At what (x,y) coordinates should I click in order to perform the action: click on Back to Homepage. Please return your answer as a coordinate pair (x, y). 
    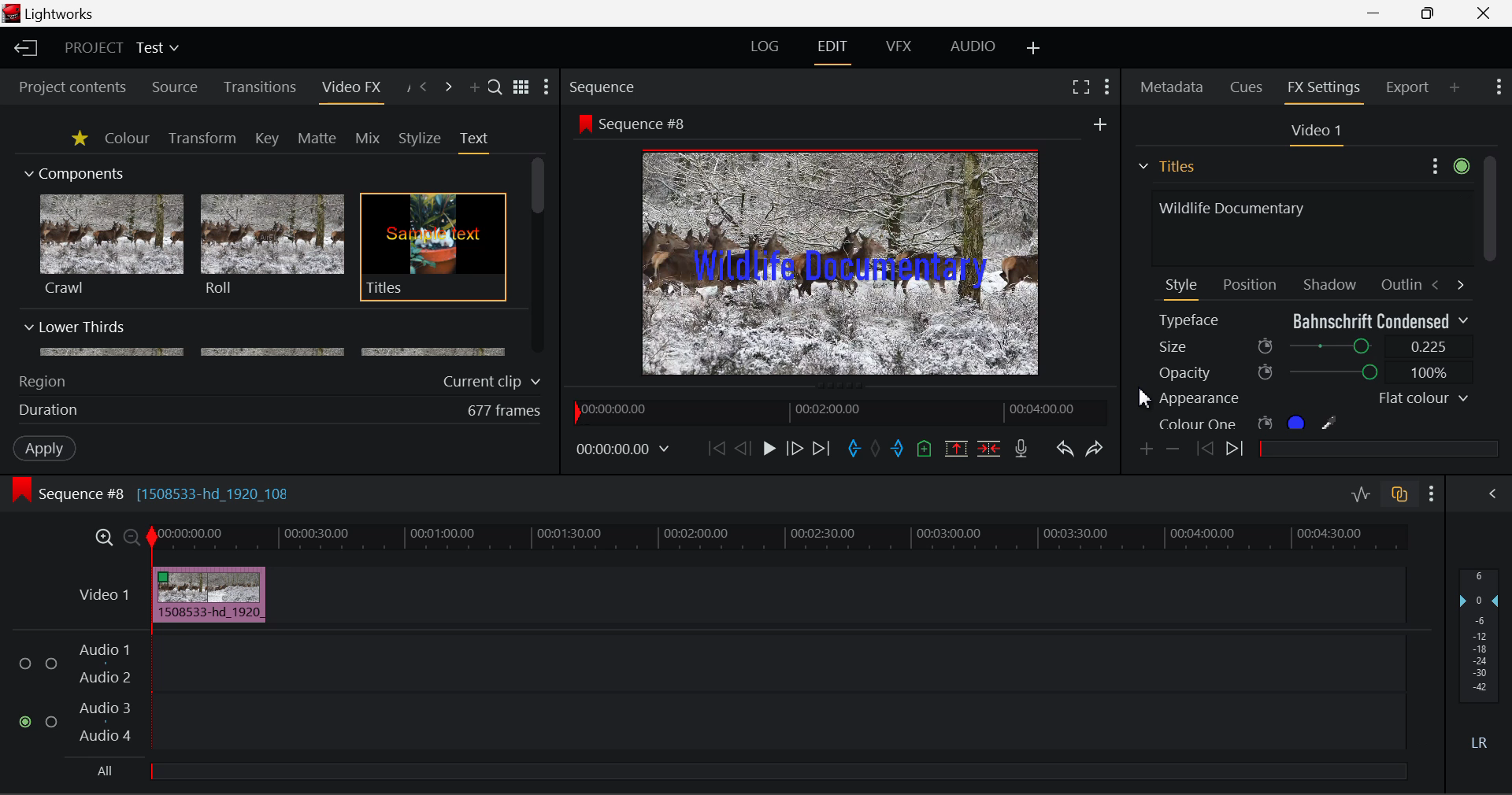
    Looking at the image, I should click on (24, 49).